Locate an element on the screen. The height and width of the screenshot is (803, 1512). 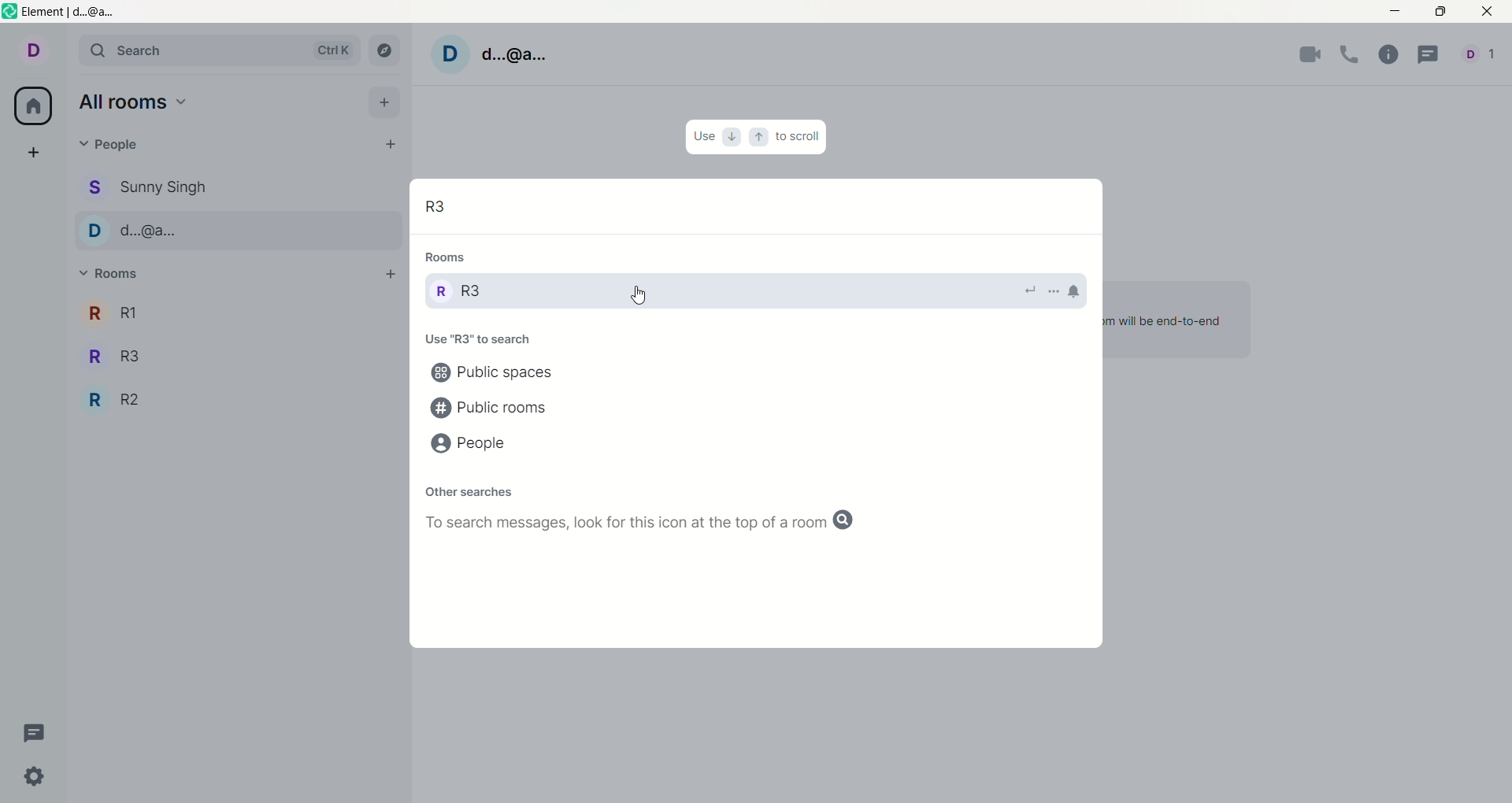
other searches is located at coordinates (469, 489).